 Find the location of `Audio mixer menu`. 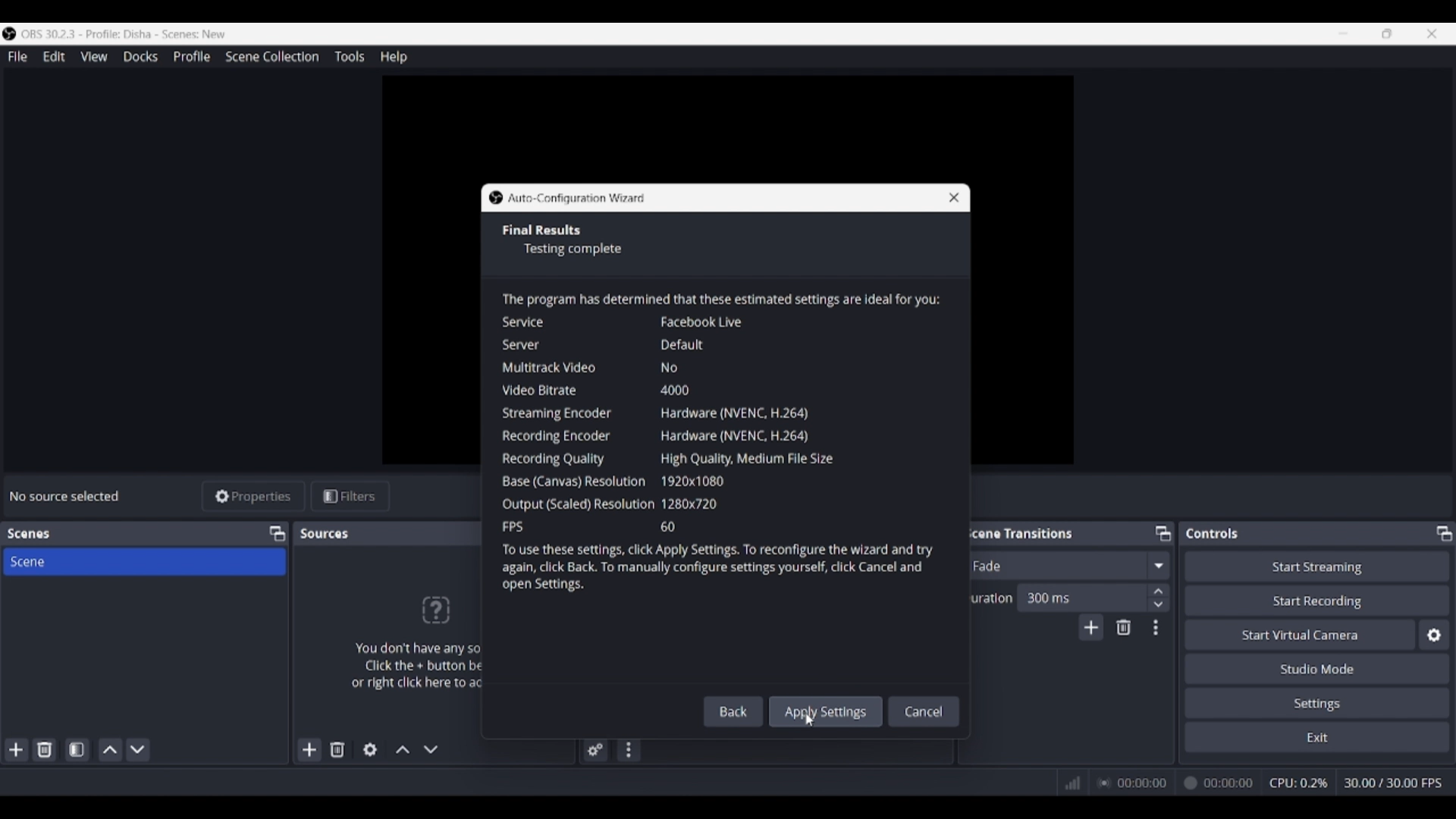

Audio mixer menu is located at coordinates (628, 750).